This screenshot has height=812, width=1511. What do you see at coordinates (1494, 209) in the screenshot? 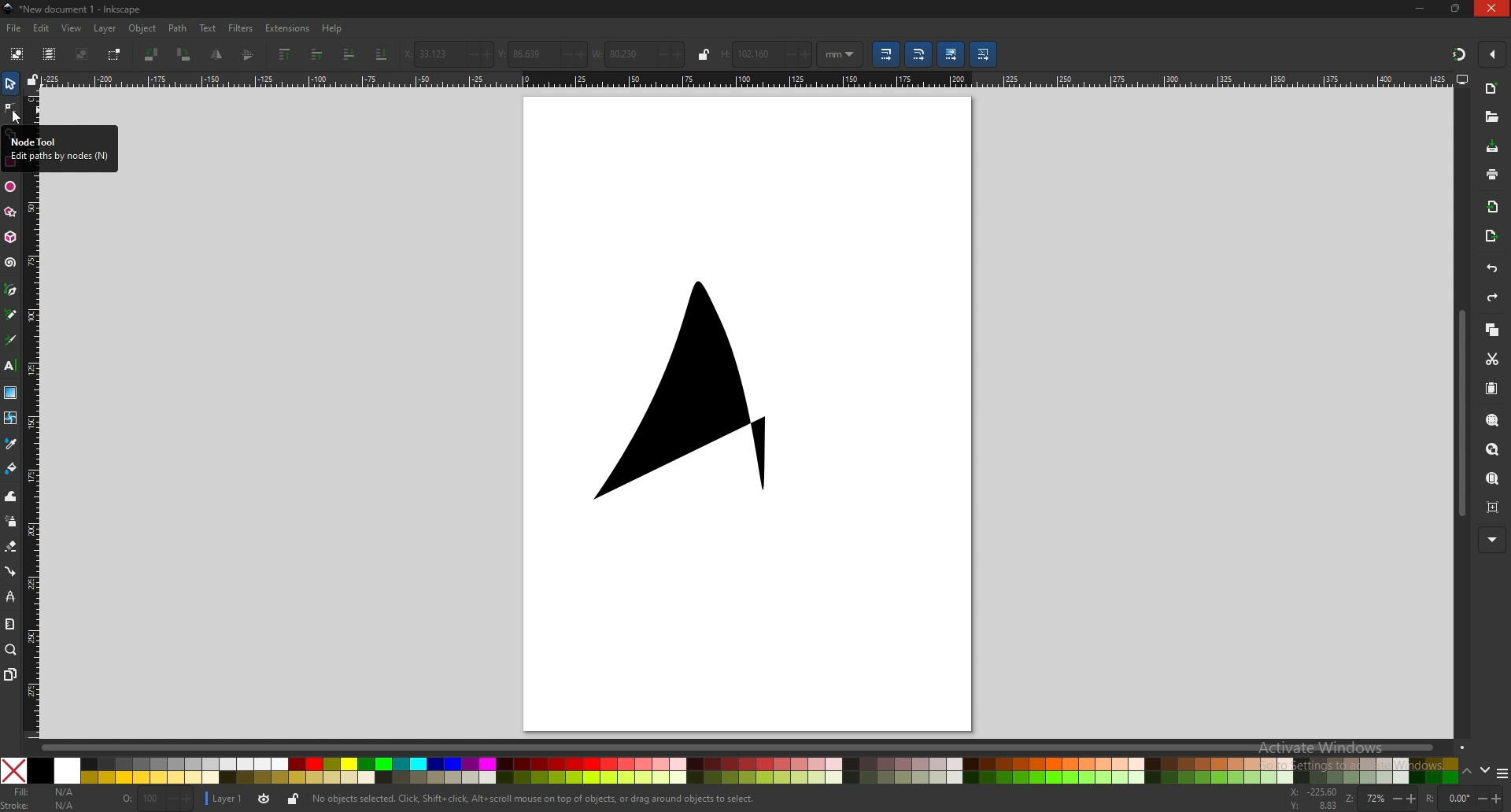
I see `import` at bounding box center [1494, 209].